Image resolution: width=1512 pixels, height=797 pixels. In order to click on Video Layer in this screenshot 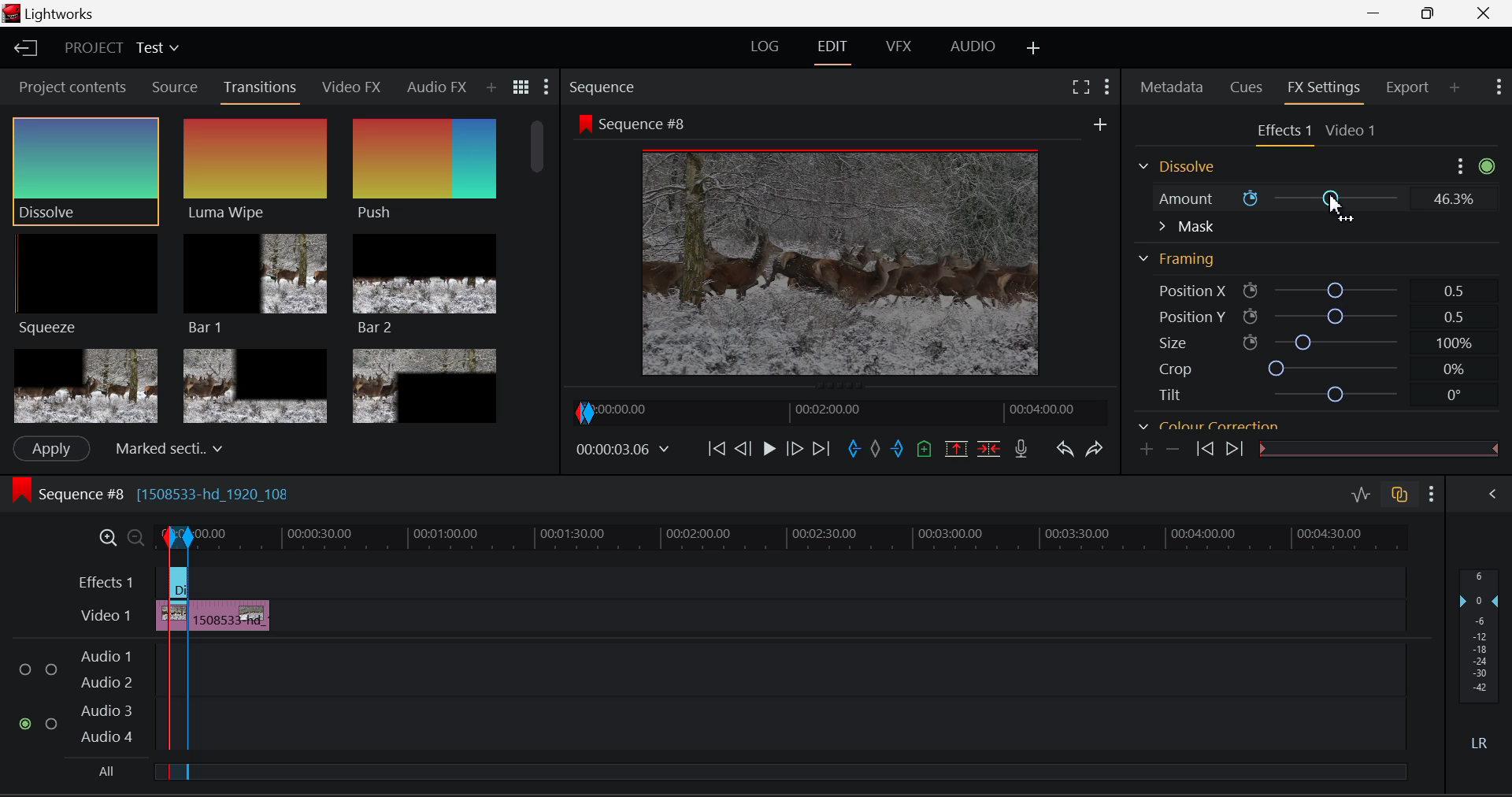, I will do `click(106, 617)`.